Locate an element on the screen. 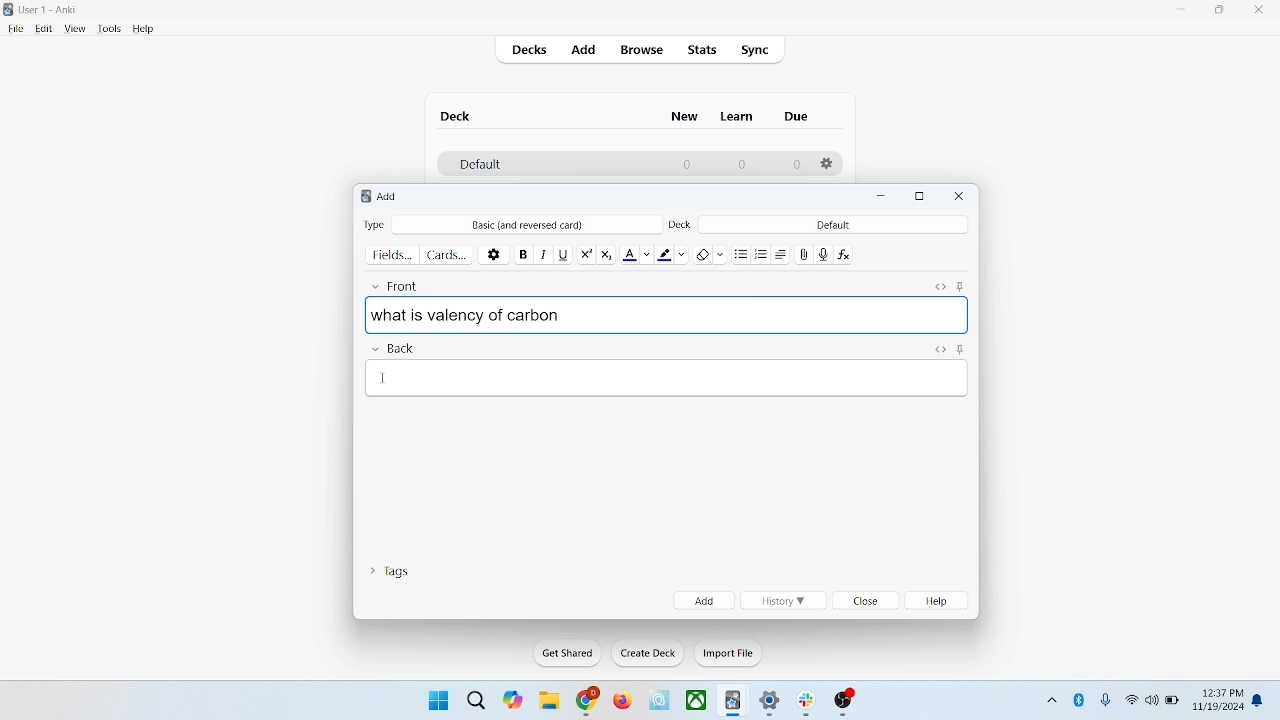  italics is located at coordinates (541, 253).